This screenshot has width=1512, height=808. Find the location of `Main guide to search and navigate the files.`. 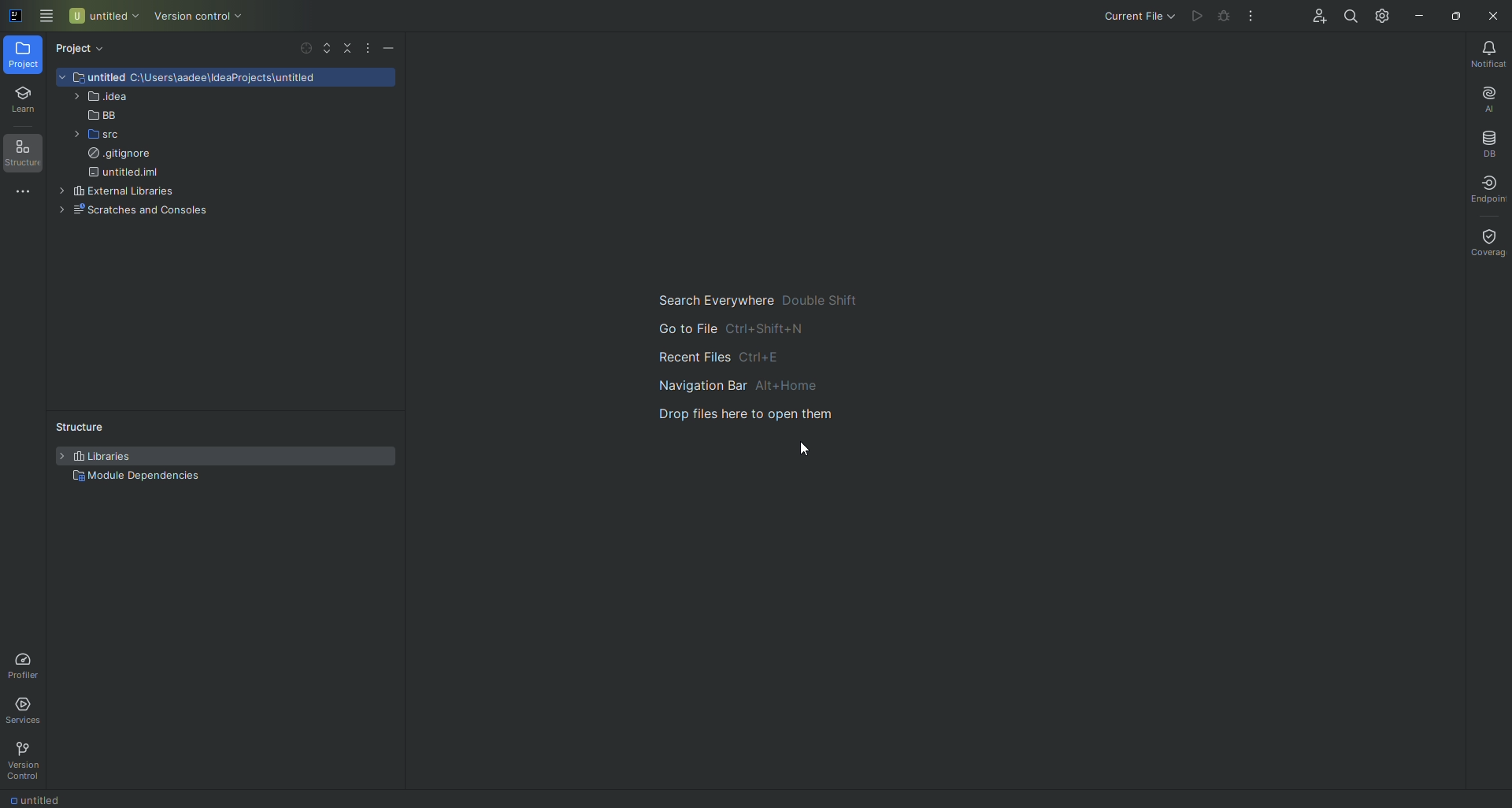

Main guide to search and navigate the files. is located at coordinates (746, 354).